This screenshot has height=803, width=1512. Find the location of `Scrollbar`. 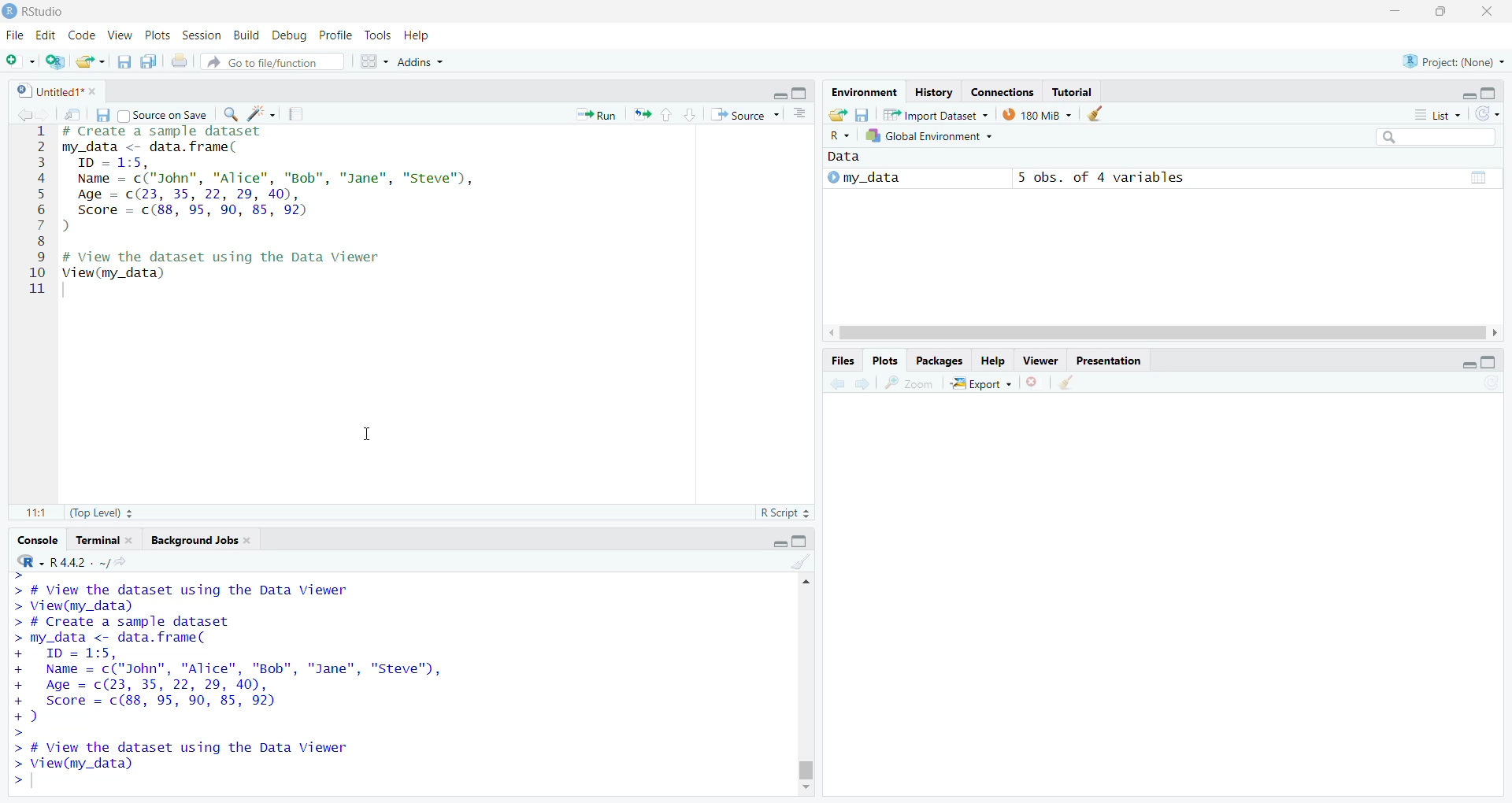

Scrollbar is located at coordinates (805, 690).